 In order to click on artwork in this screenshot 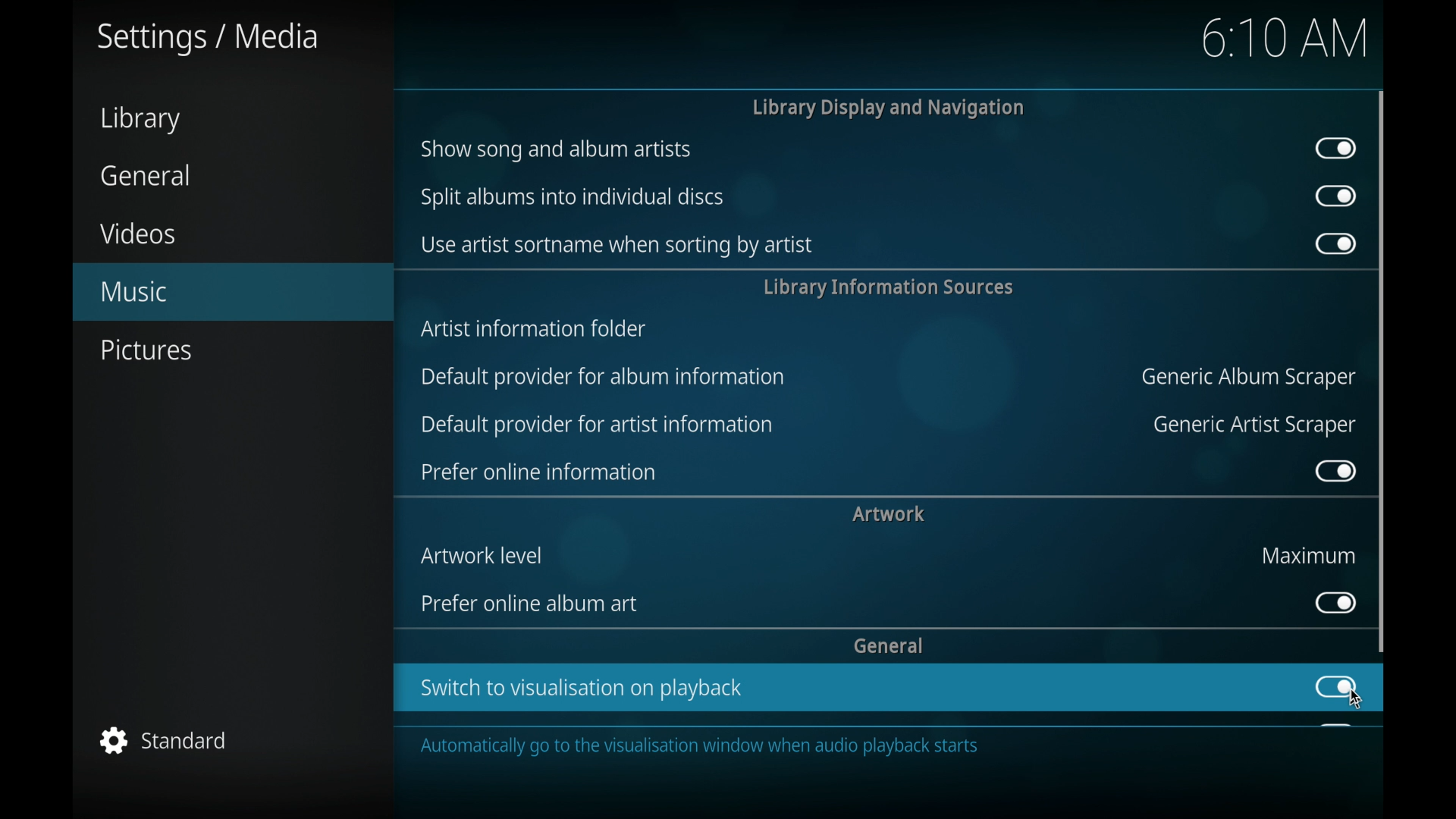, I will do `click(889, 513)`.